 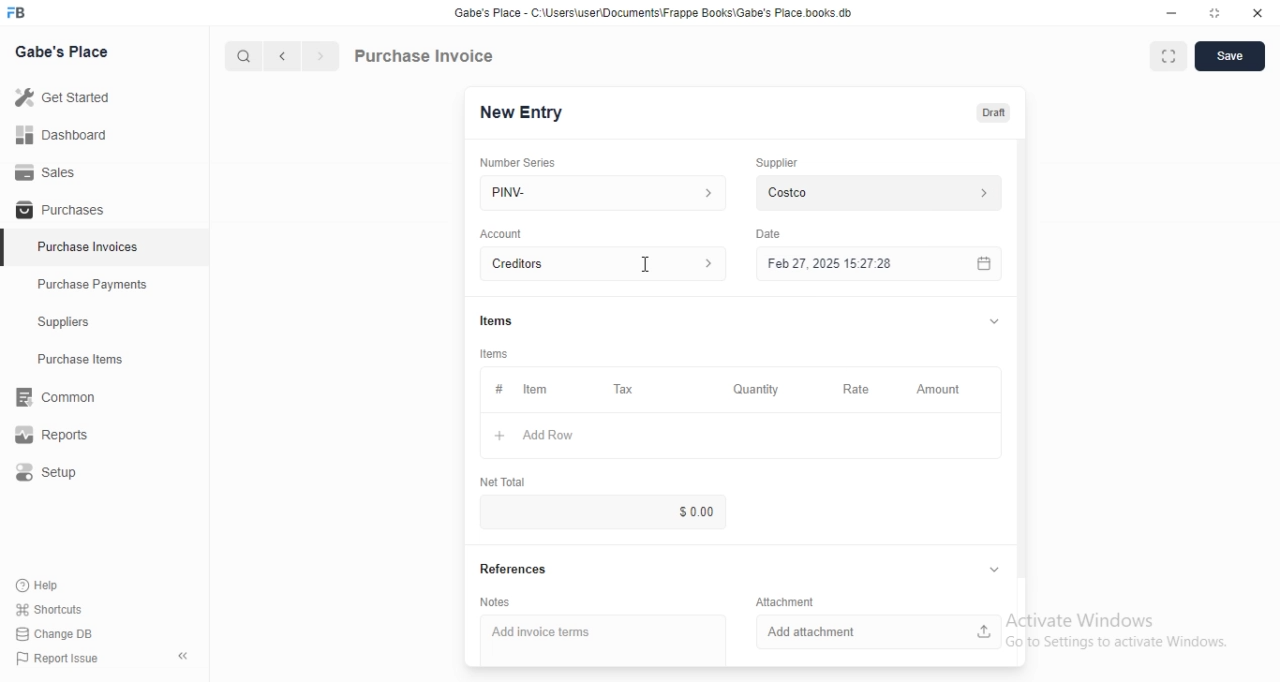 I want to click on Date, so click(x=768, y=234).